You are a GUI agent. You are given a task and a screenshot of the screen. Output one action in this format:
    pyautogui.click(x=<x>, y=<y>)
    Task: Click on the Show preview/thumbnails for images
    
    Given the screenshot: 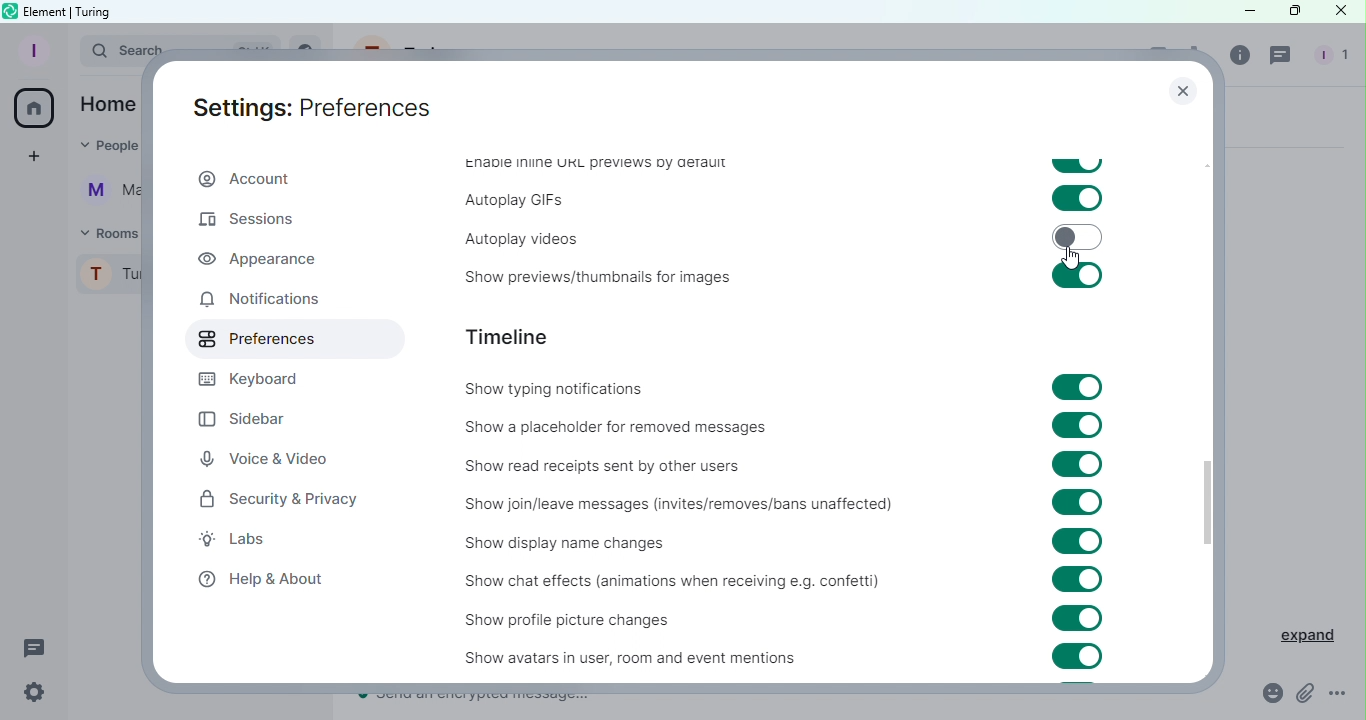 What is the action you would take?
    pyautogui.click(x=590, y=279)
    